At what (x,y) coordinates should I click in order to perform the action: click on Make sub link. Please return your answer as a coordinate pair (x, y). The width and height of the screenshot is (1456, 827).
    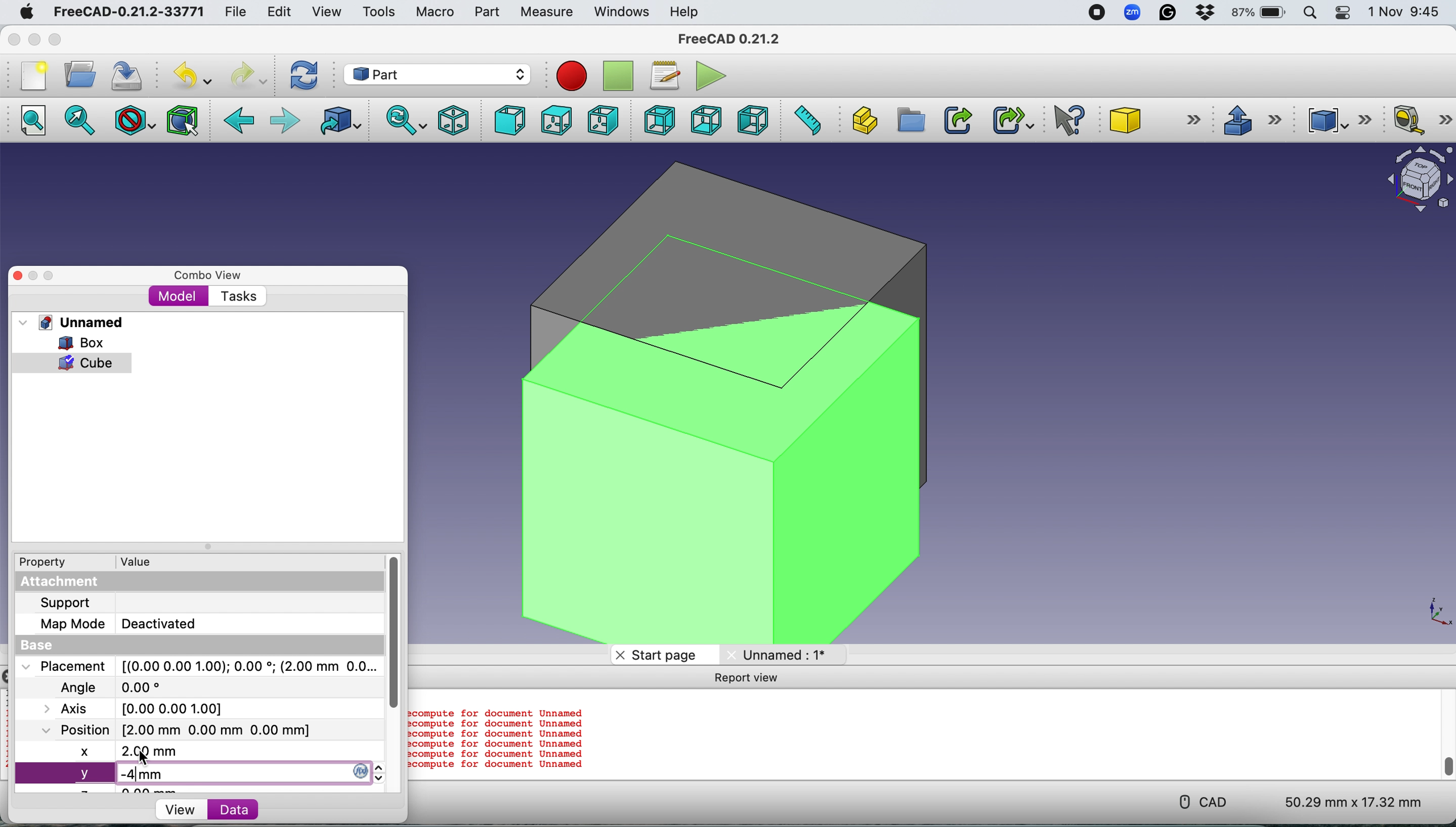
    Looking at the image, I should click on (1008, 118).